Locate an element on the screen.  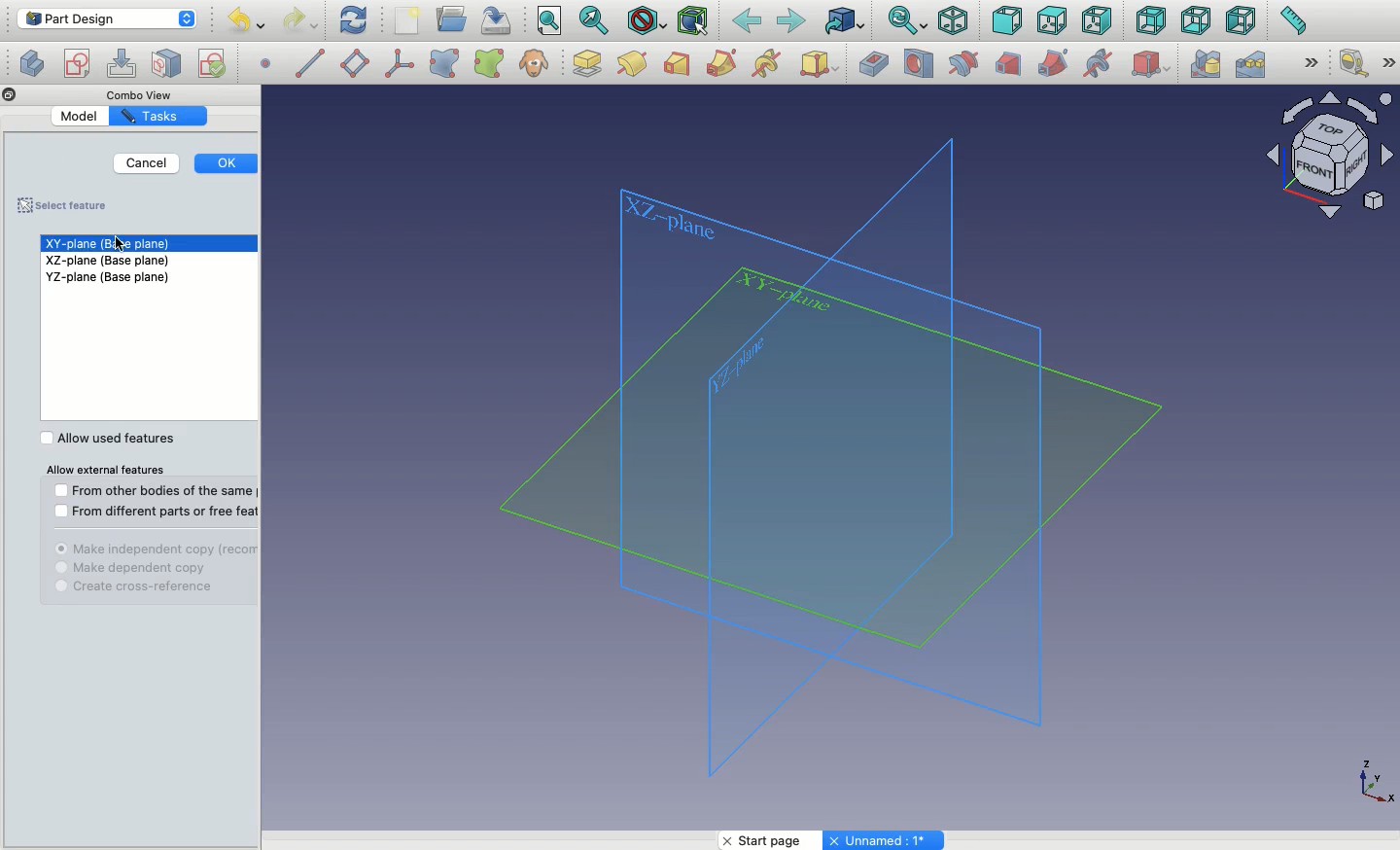
Fit selection is located at coordinates (594, 20).